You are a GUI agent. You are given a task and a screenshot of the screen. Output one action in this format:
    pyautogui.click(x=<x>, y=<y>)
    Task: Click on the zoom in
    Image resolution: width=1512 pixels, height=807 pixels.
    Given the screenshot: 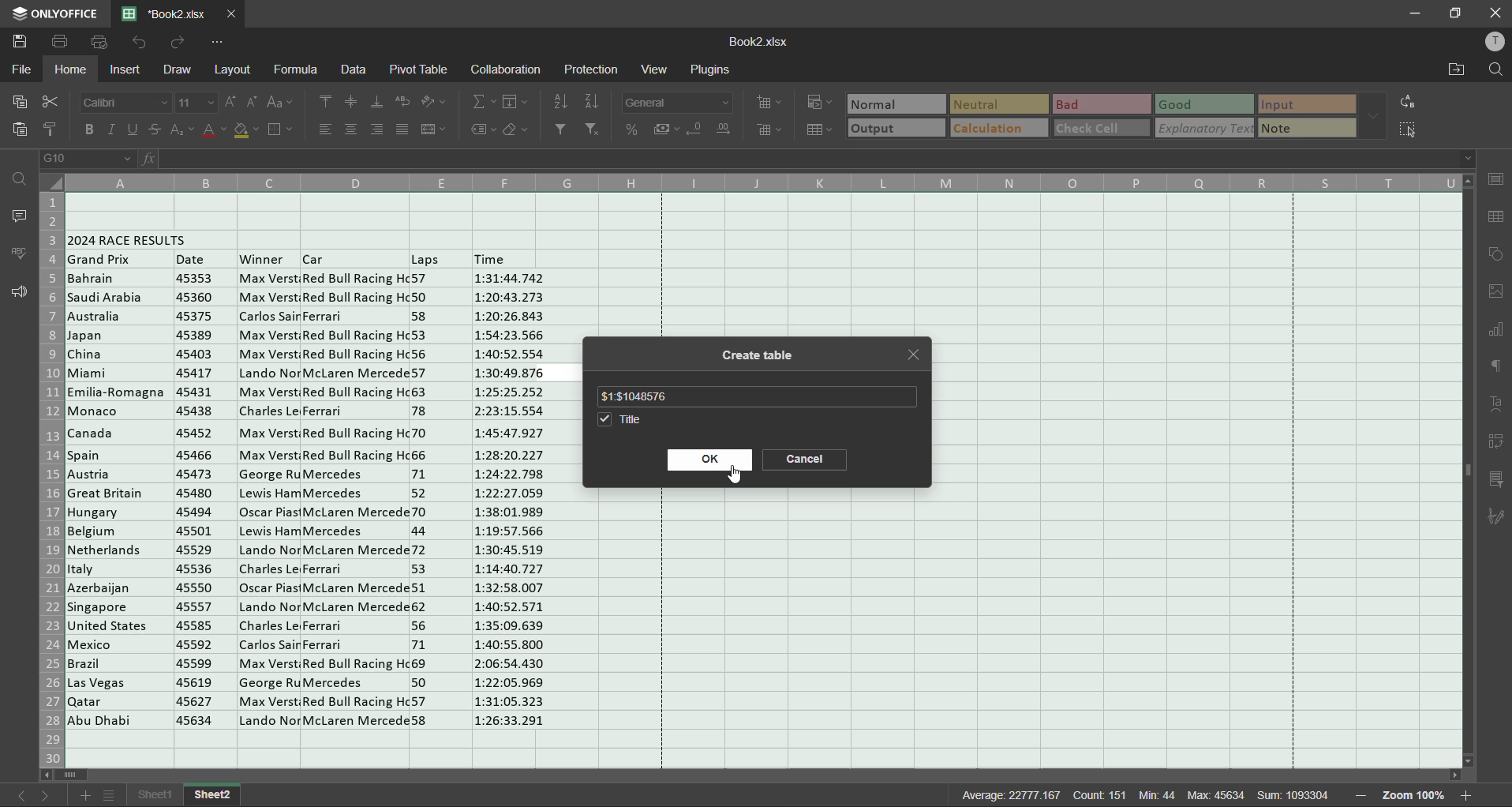 What is the action you would take?
    pyautogui.click(x=1465, y=794)
    